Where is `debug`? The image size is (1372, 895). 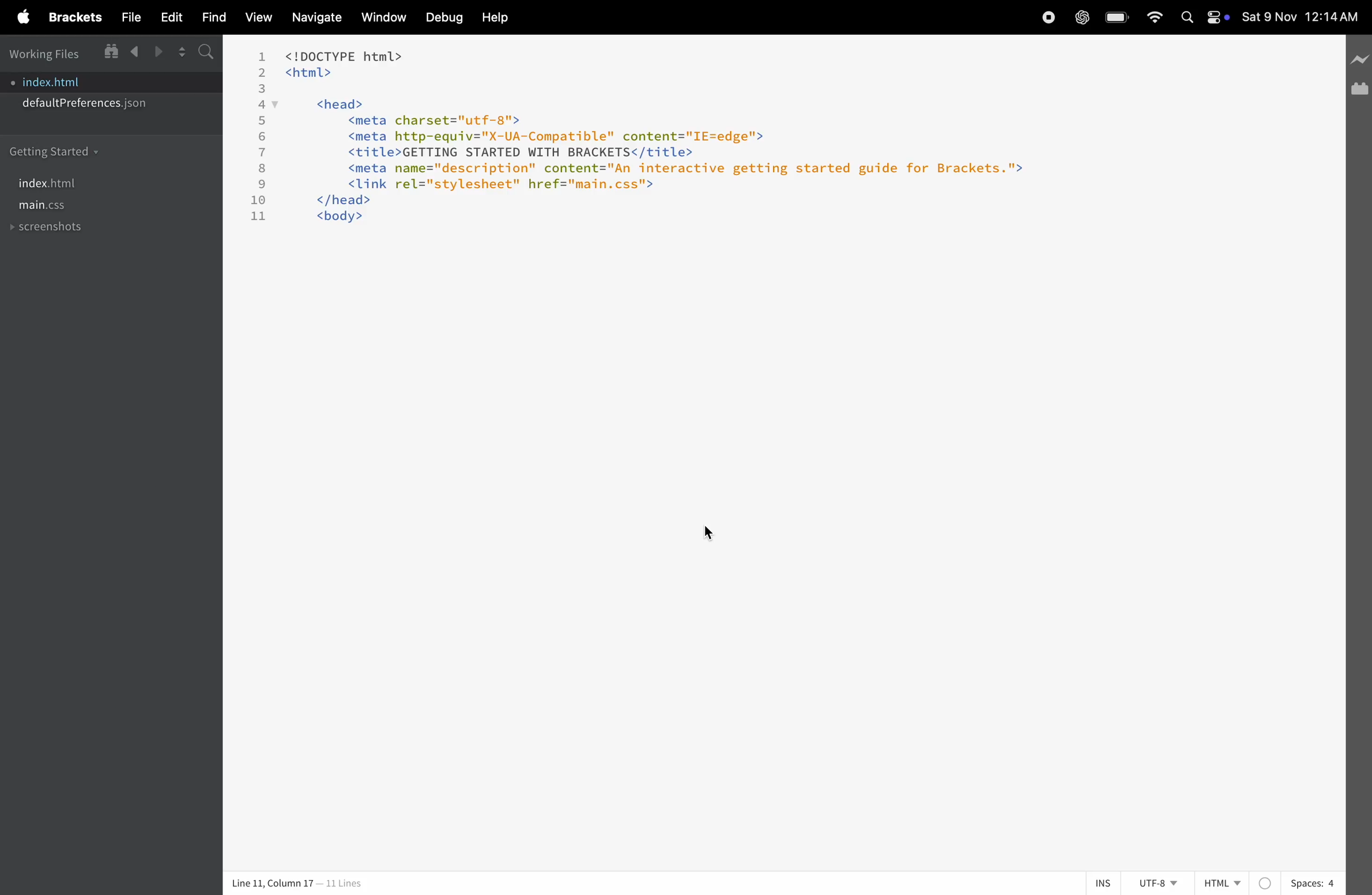 debug is located at coordinates (443, 17).